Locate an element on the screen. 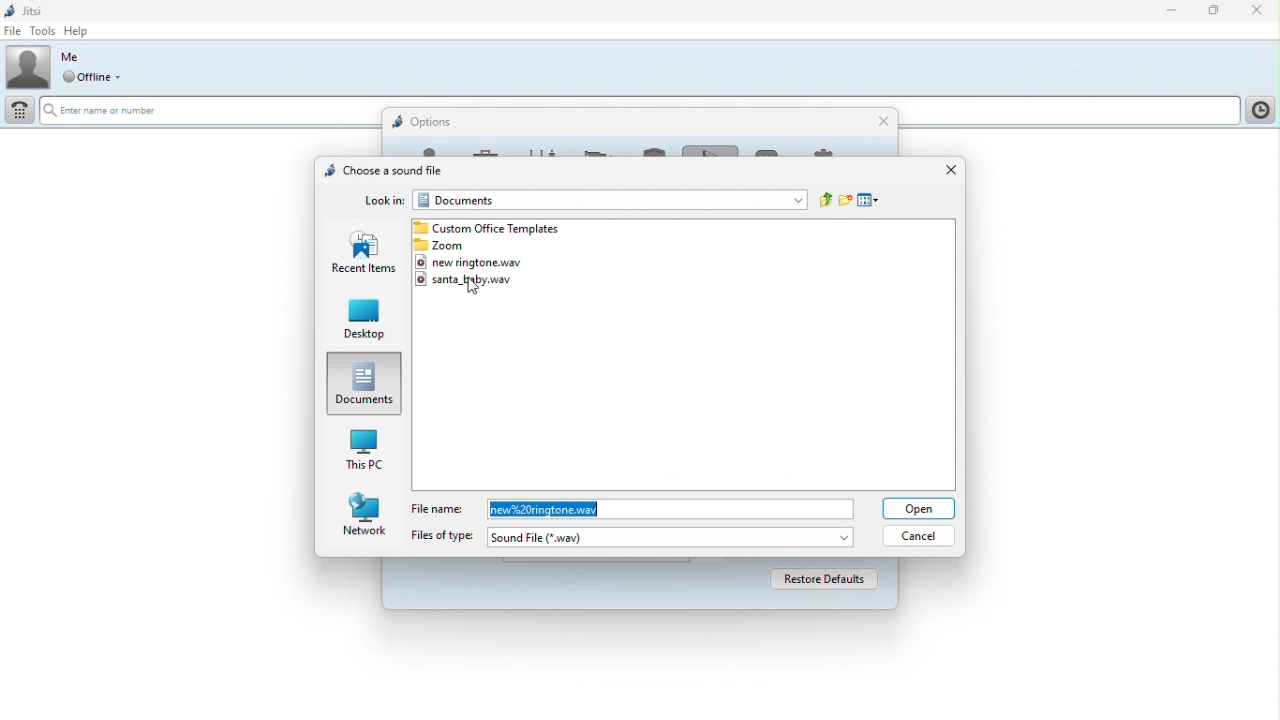 Image resolution: width=1280 pixels, height=720 pixels. Recent items is located at coordinates (365, 255).